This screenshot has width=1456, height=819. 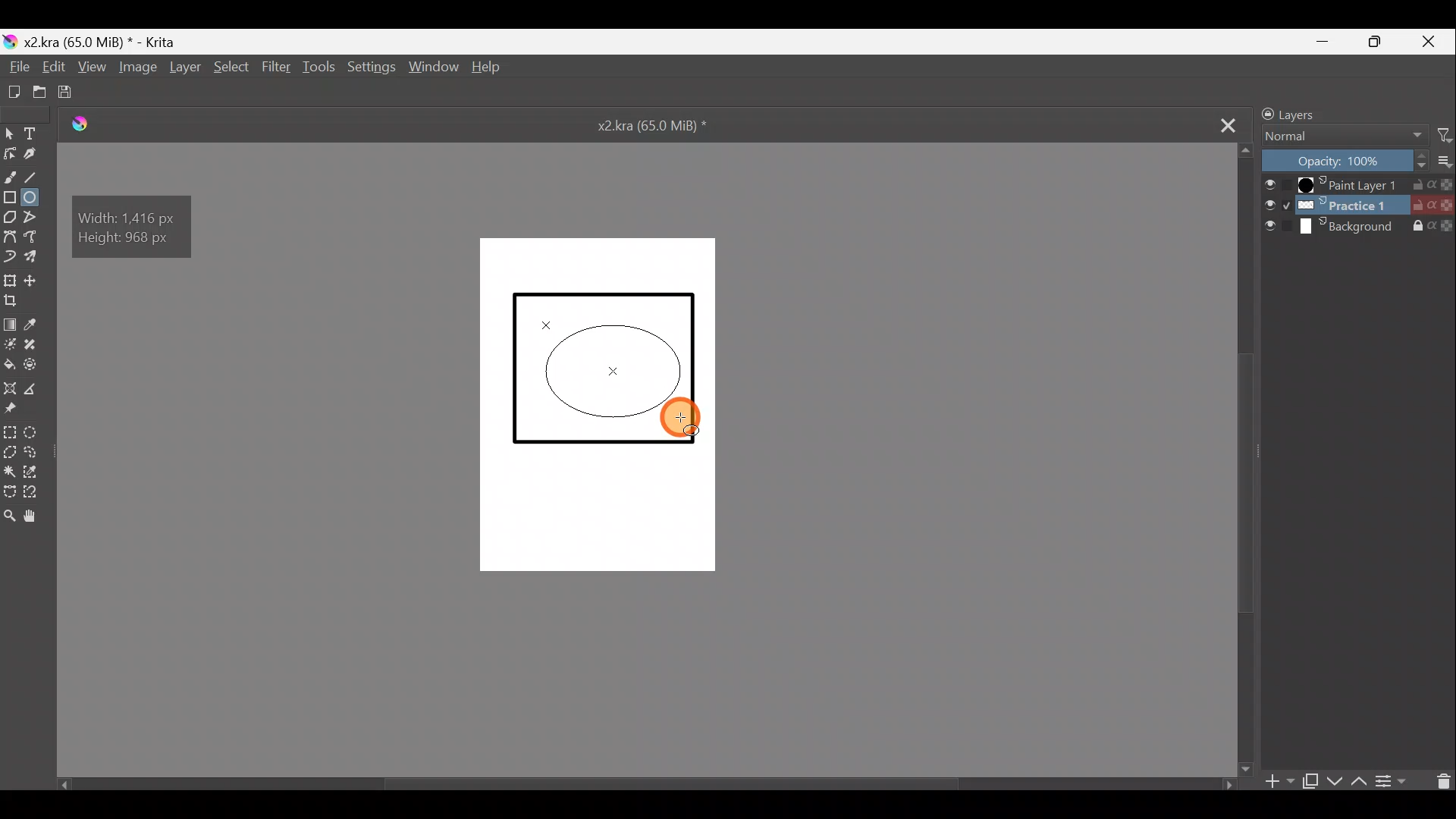 What do you see at coordinates (9, 491) in the screenshot?
I see `Bezier curve selection tool` at bounding box center [9, 491].